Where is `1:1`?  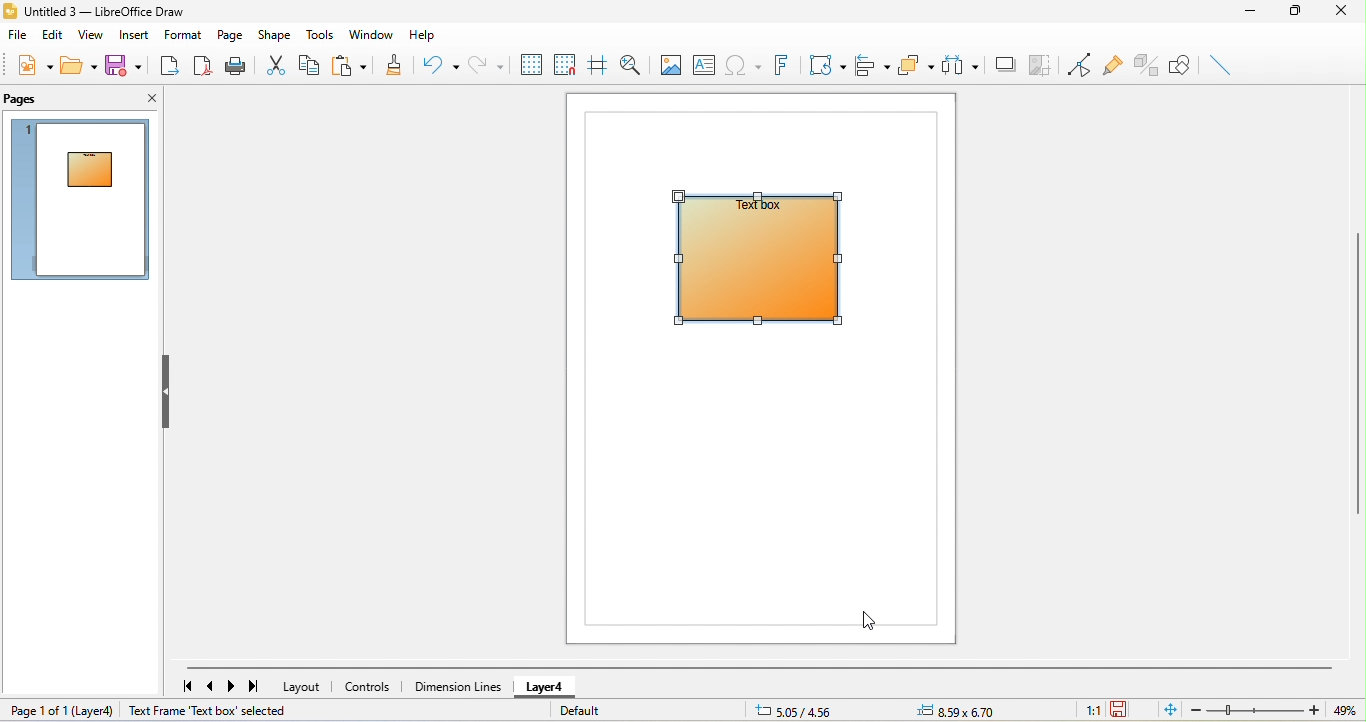
1:1 is located at coordinates (1084, 709).